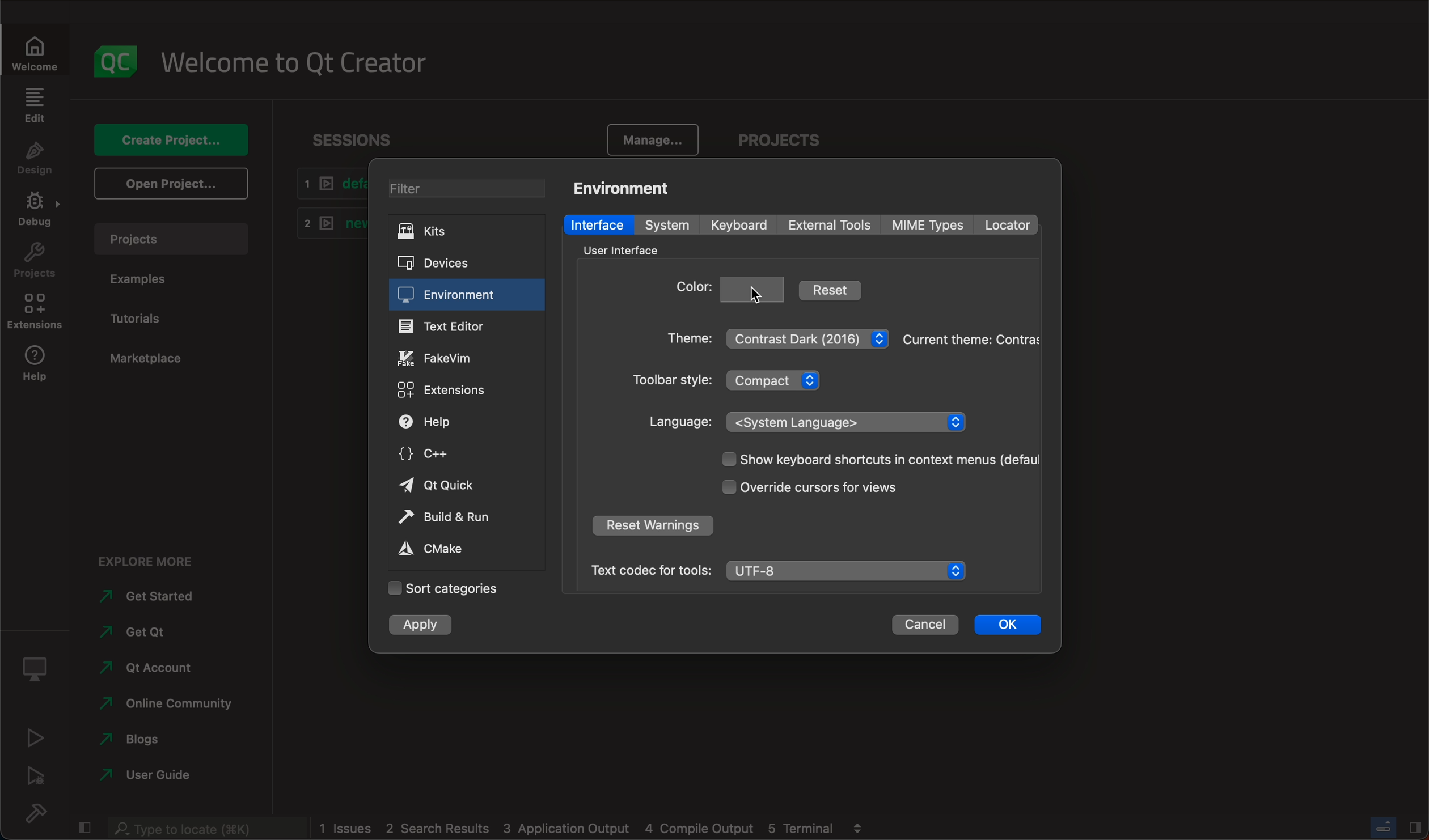  I want to click on cursor, so click(751, 294).